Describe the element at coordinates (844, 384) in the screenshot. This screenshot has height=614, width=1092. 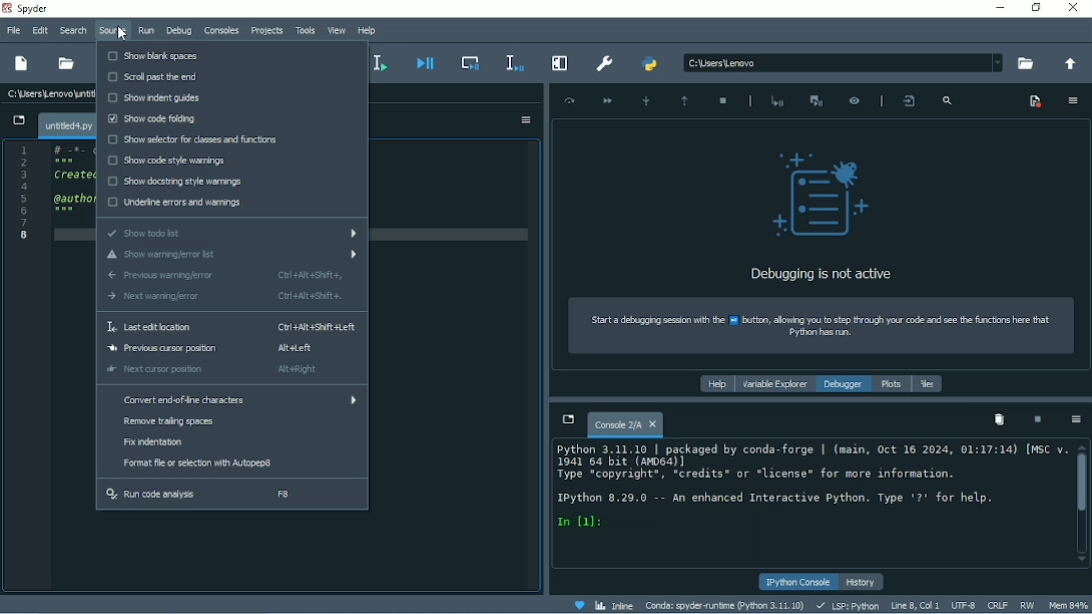
I see `Debugger` at that location.